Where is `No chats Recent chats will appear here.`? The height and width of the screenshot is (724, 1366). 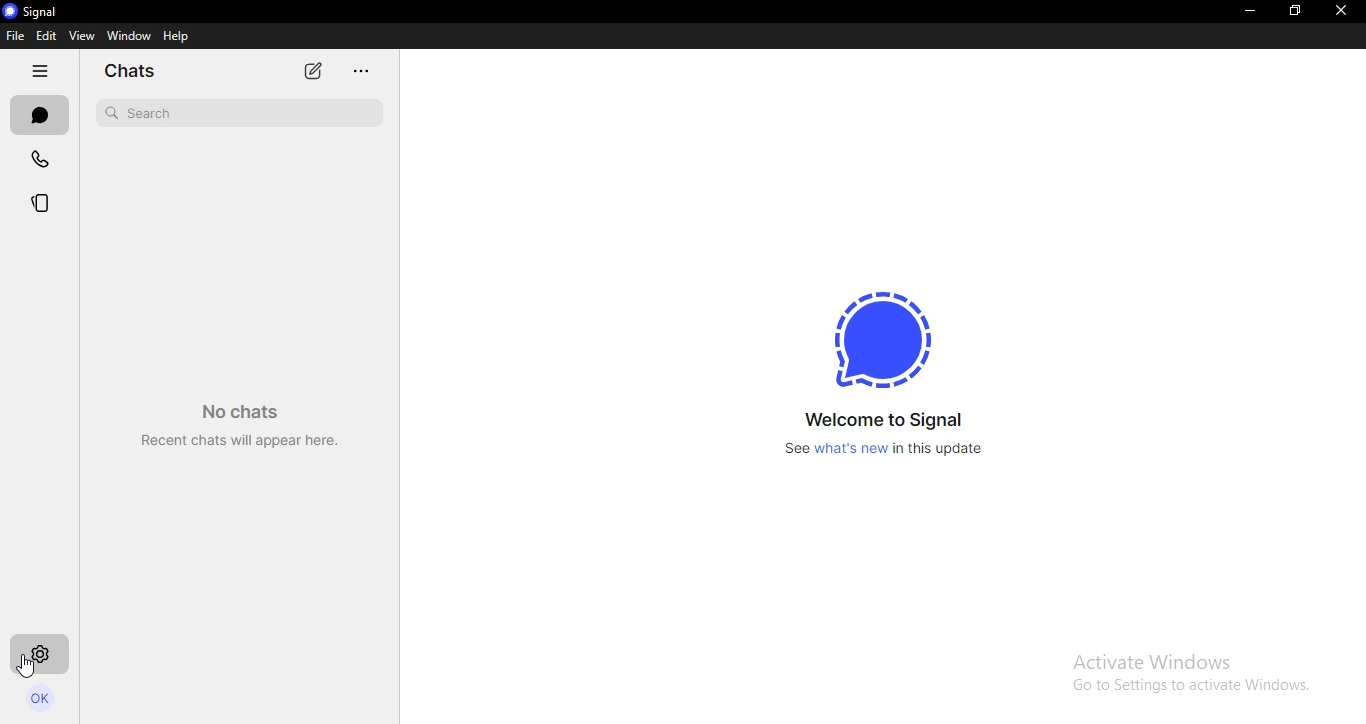
No chats Recent chats will appear here. is located at coordinates (237, 418).